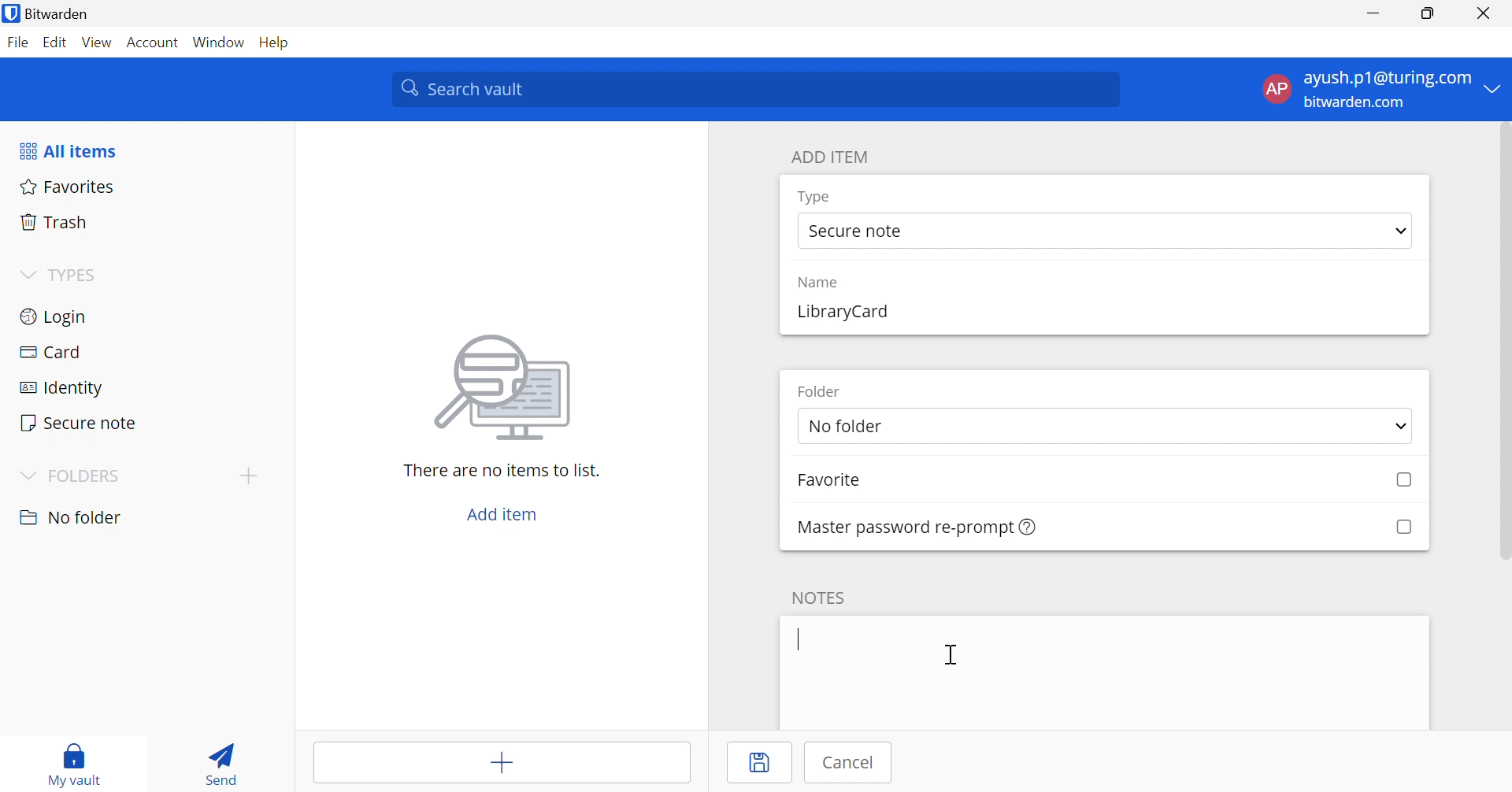 The width and height of the screenshot is (1512, 792). Describe the element at coordinates (18, 43) in the screenshot. I see `File` at that location.